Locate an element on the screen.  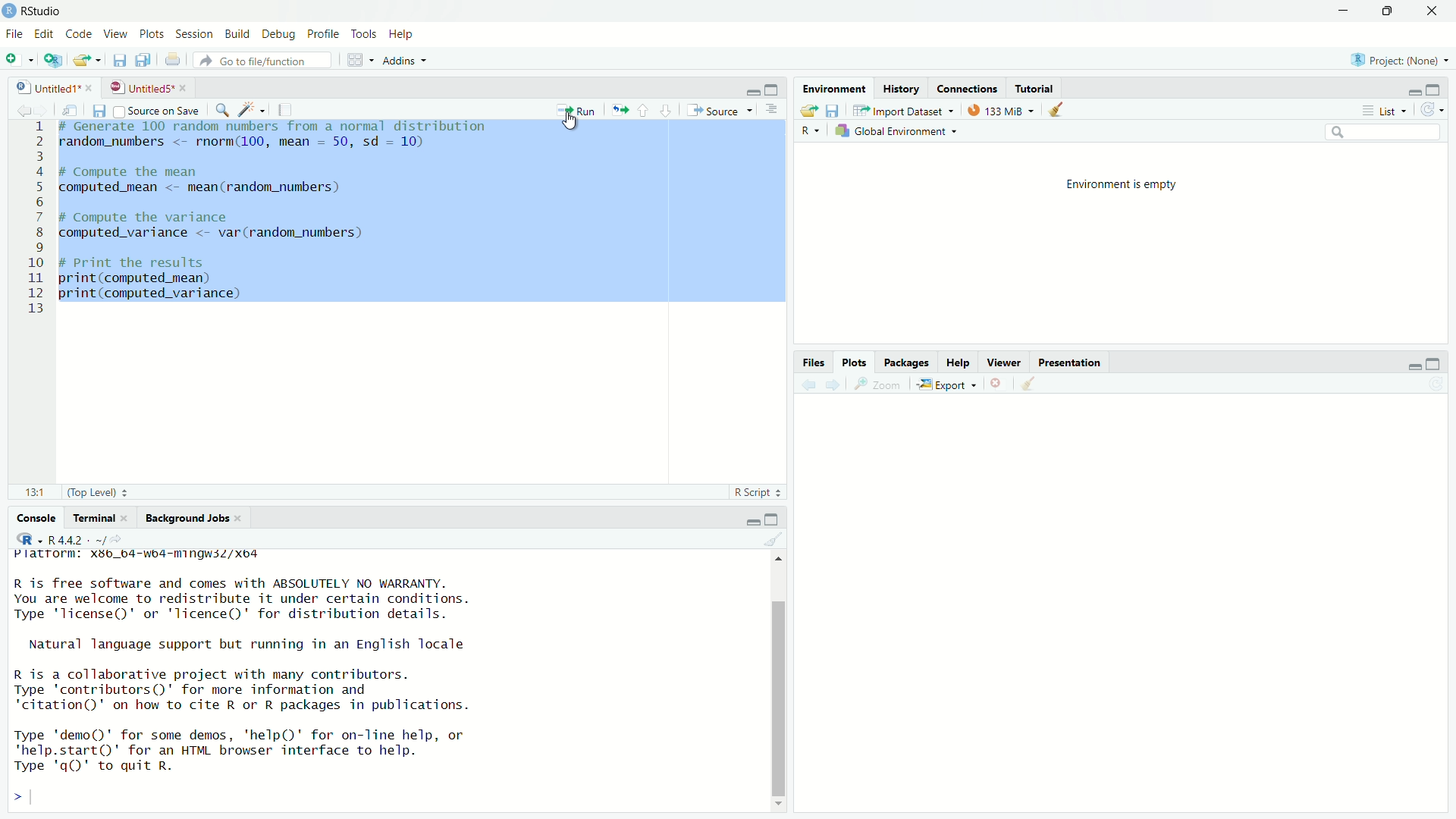
project: (none) is located at coordinates (1403, 60).